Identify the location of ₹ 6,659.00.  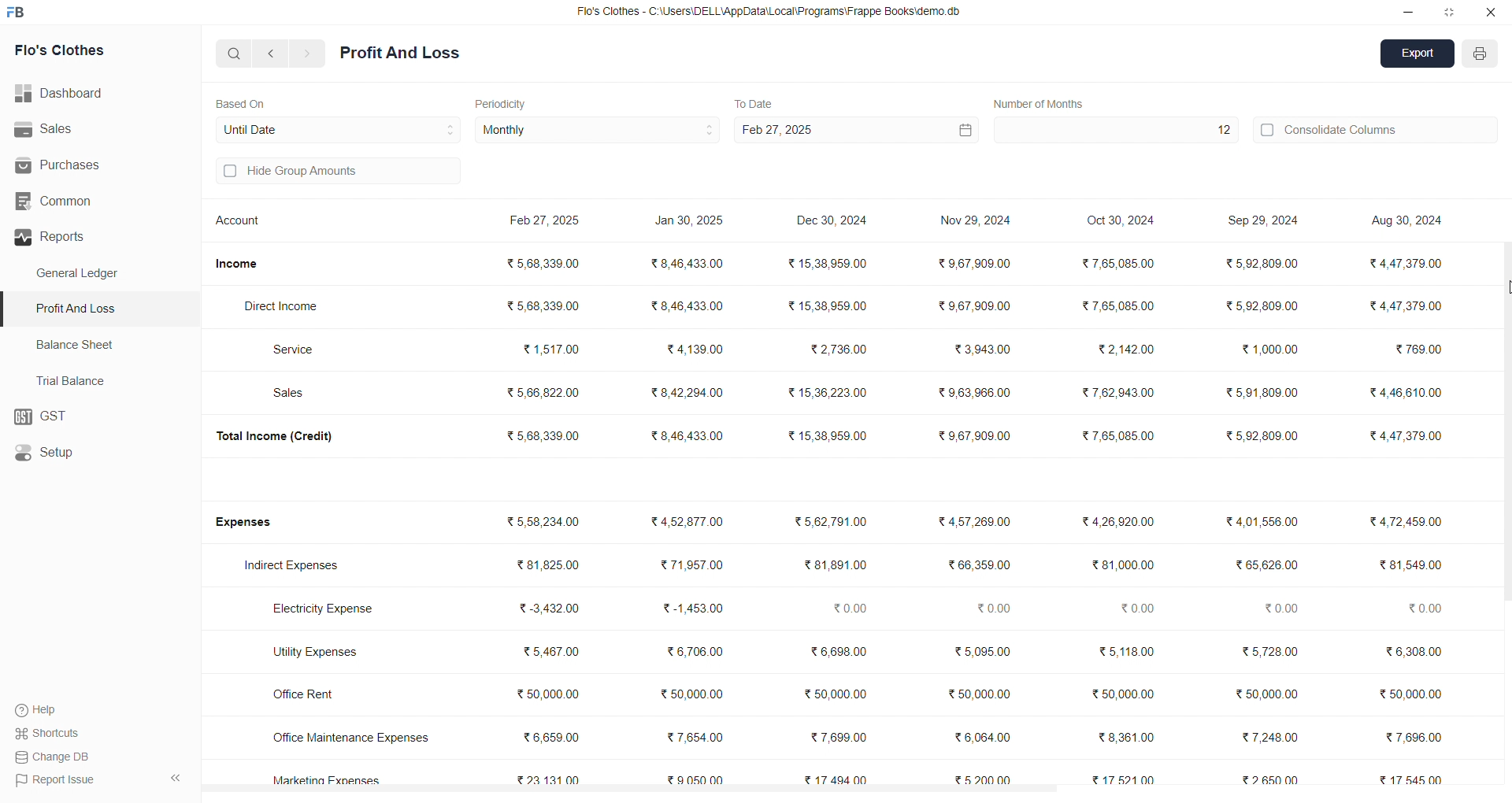
(558, 735).